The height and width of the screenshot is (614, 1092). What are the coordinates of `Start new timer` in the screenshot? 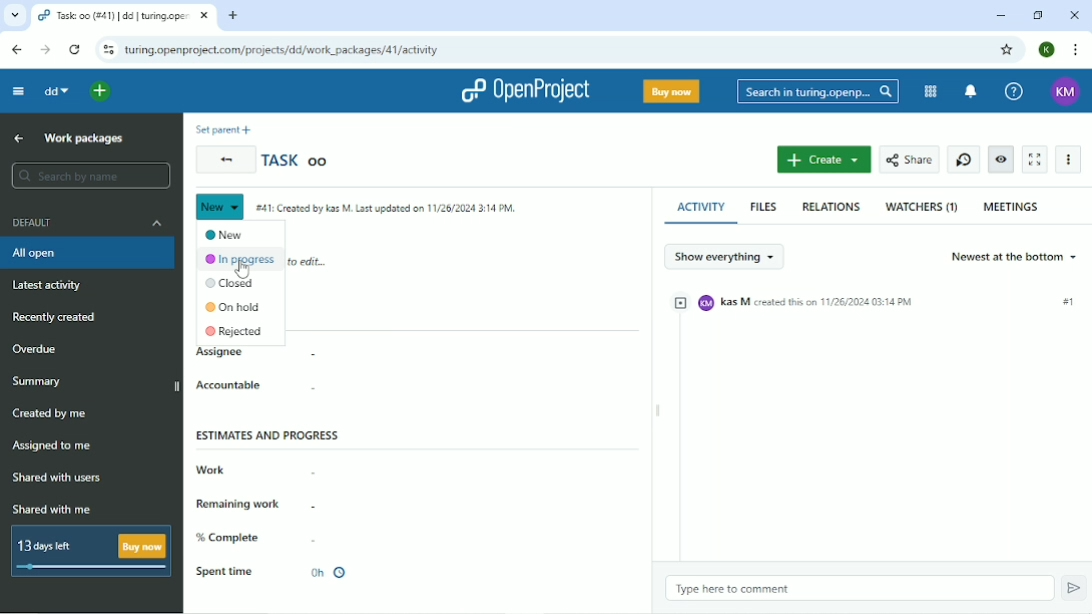 It's located at (964, 159).